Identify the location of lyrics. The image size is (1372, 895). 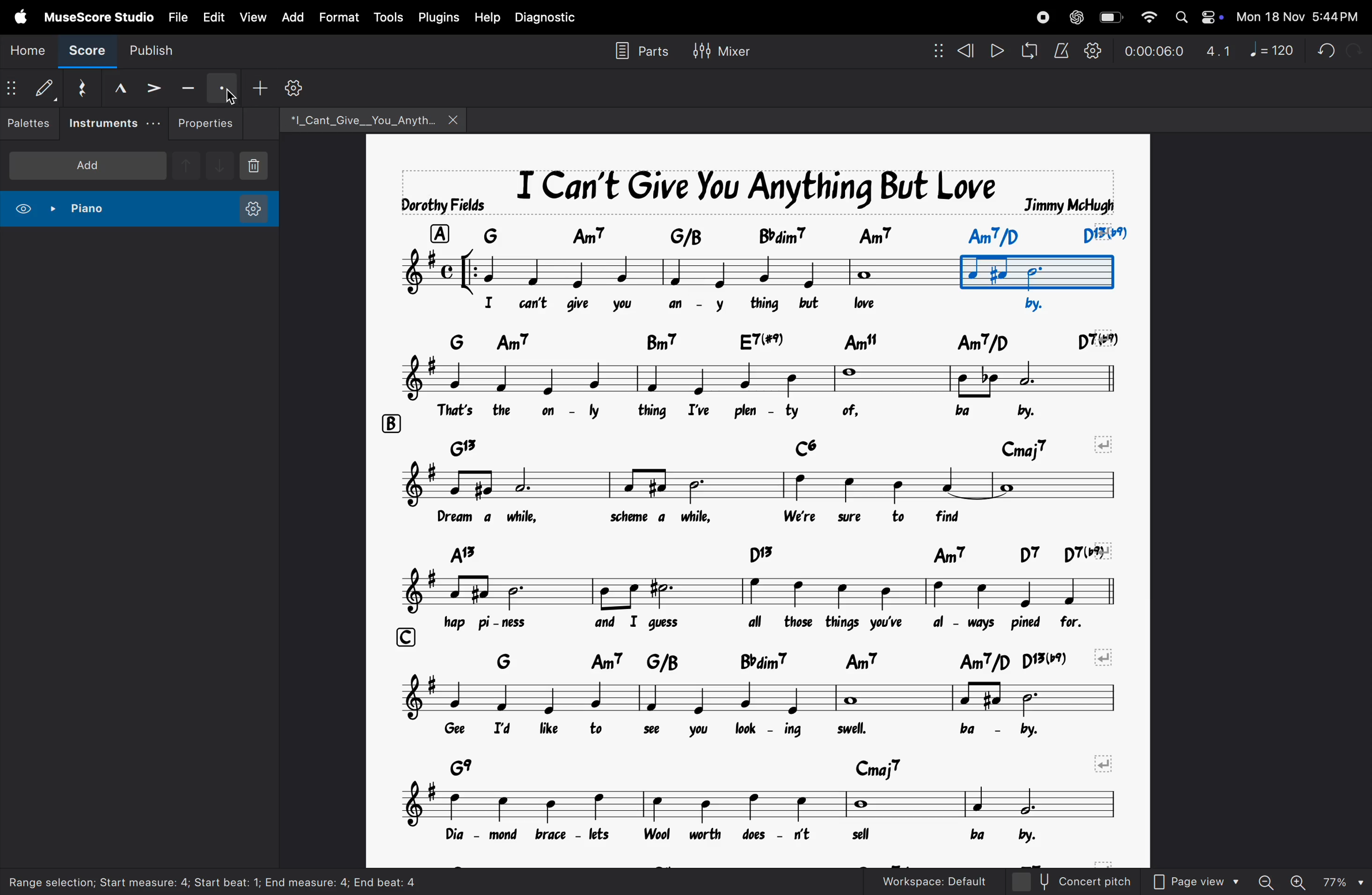
(756, 622).